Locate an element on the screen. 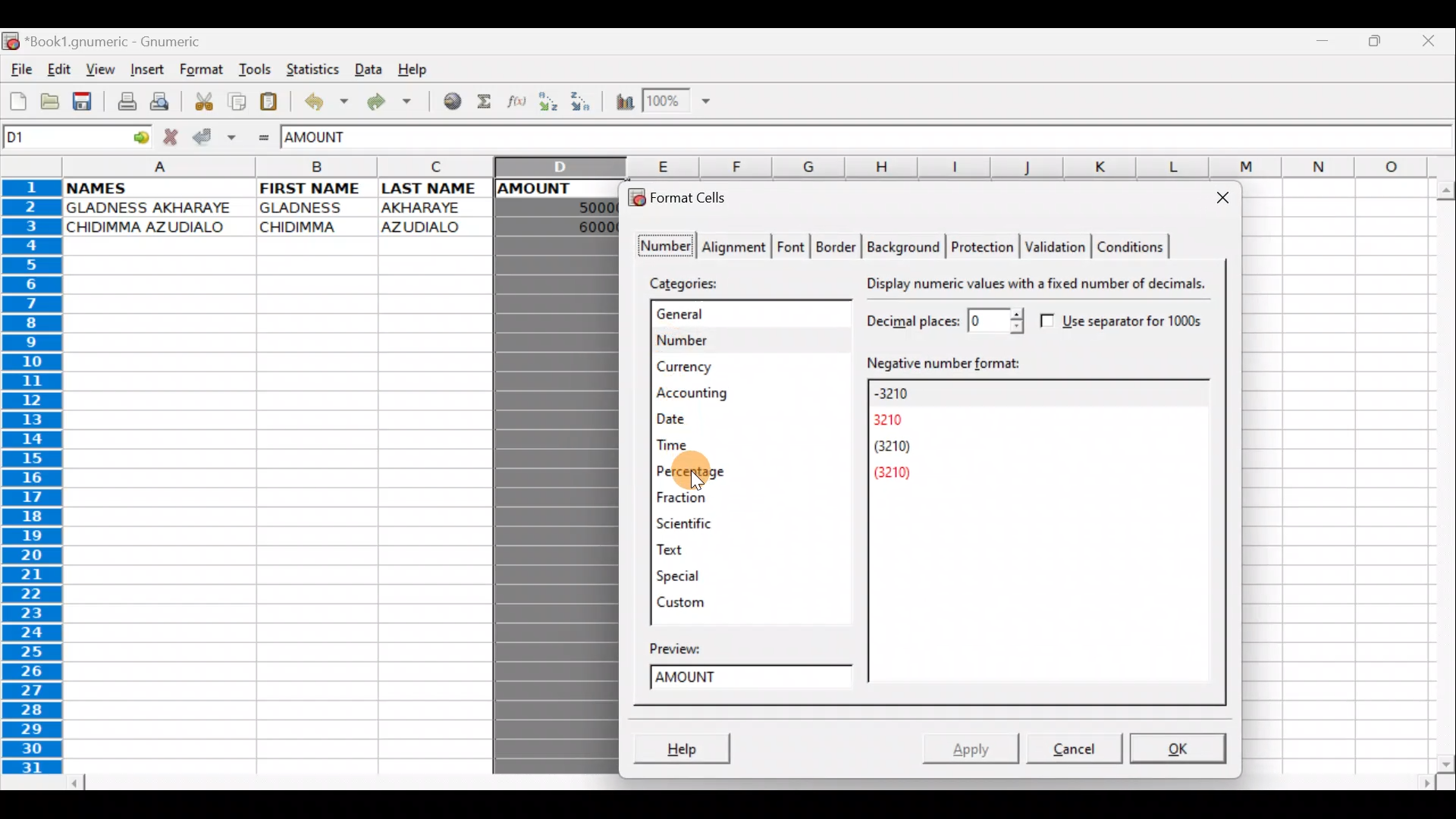 The image size is (1456, 819). Currency is located at coordinates (730, 366).